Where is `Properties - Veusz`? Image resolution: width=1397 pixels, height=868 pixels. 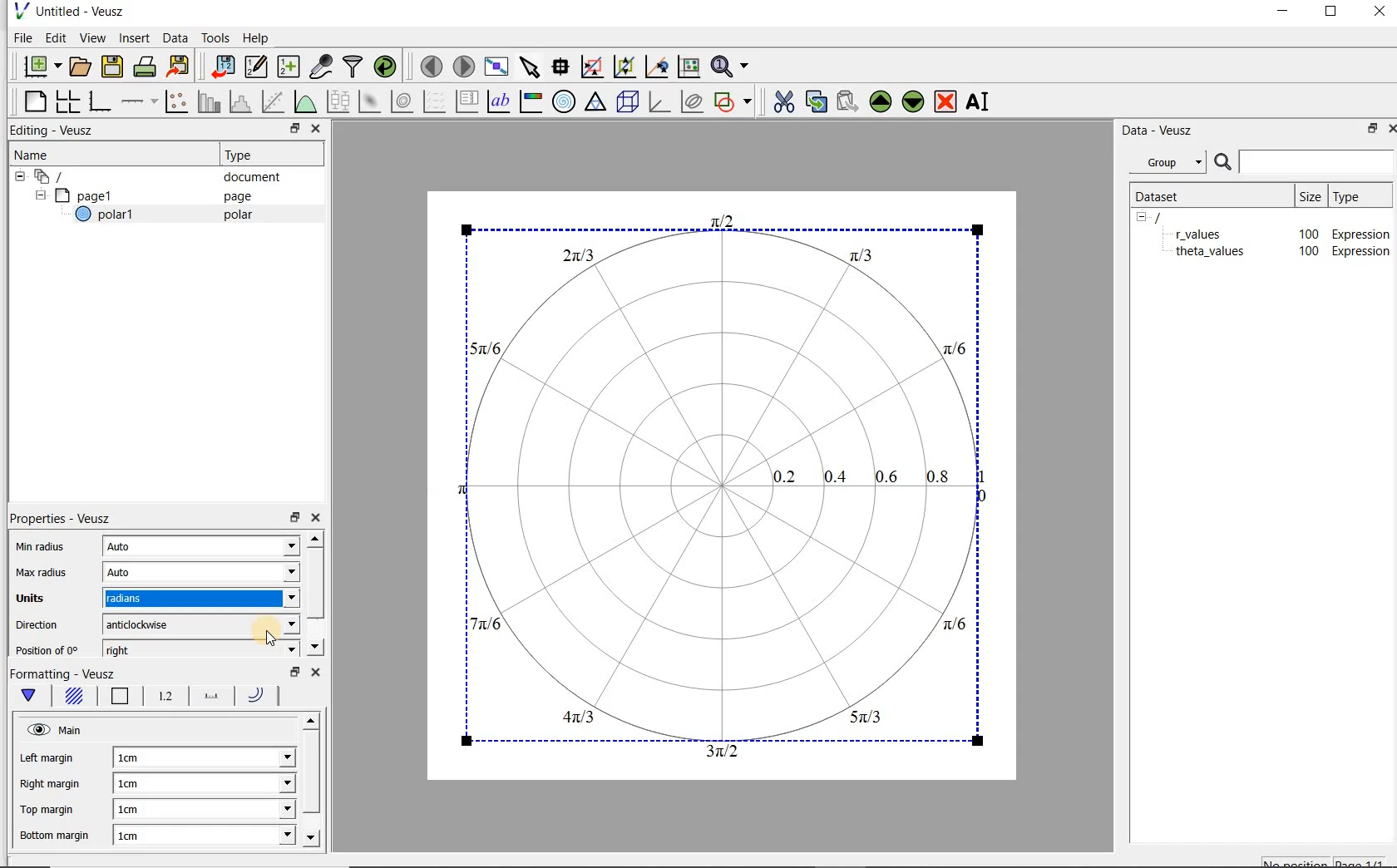 Properties - Veusz is located at coordinates (63, 519).